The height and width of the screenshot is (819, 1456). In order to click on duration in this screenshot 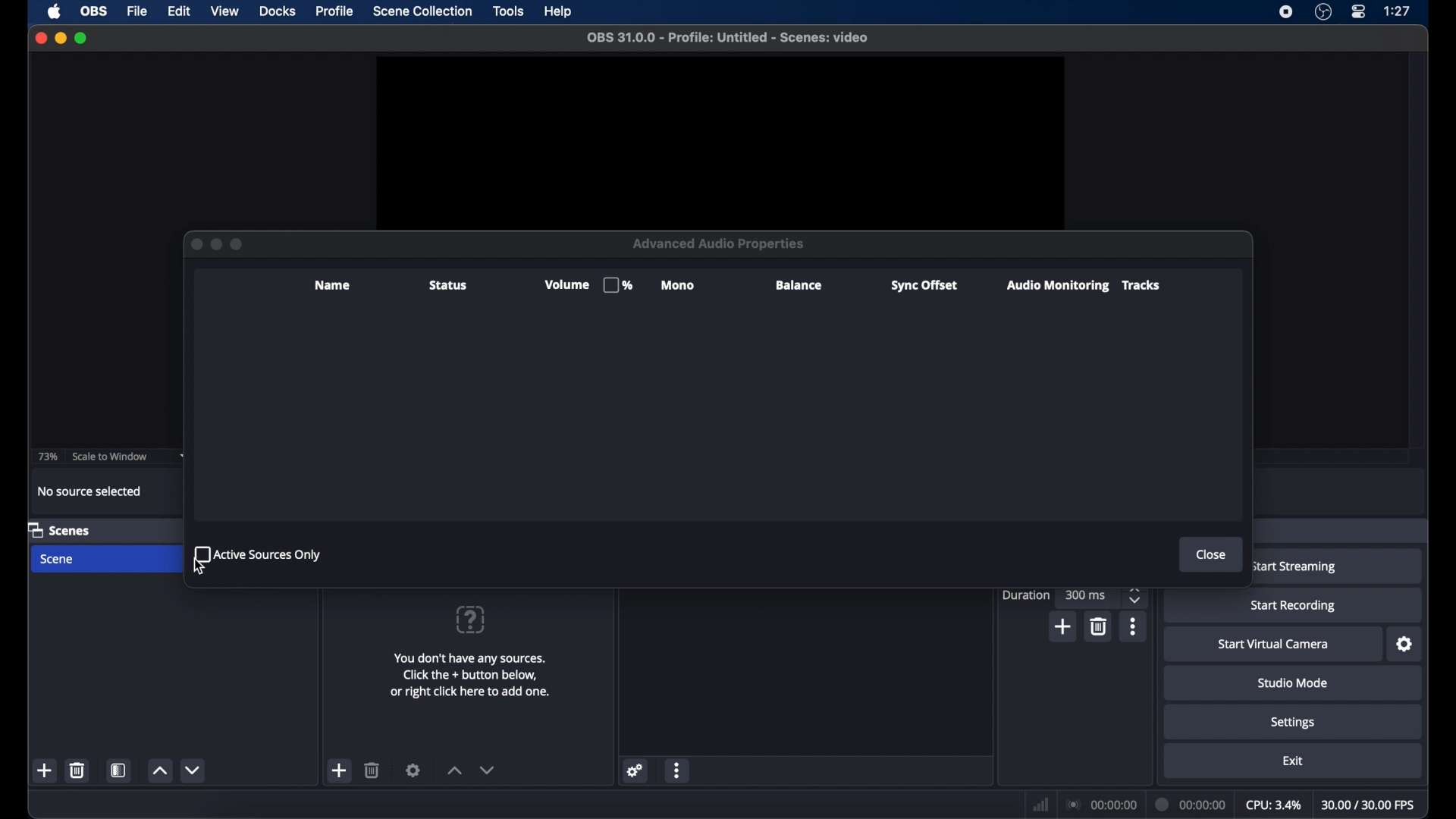, I will do `click(1027, 595)`.